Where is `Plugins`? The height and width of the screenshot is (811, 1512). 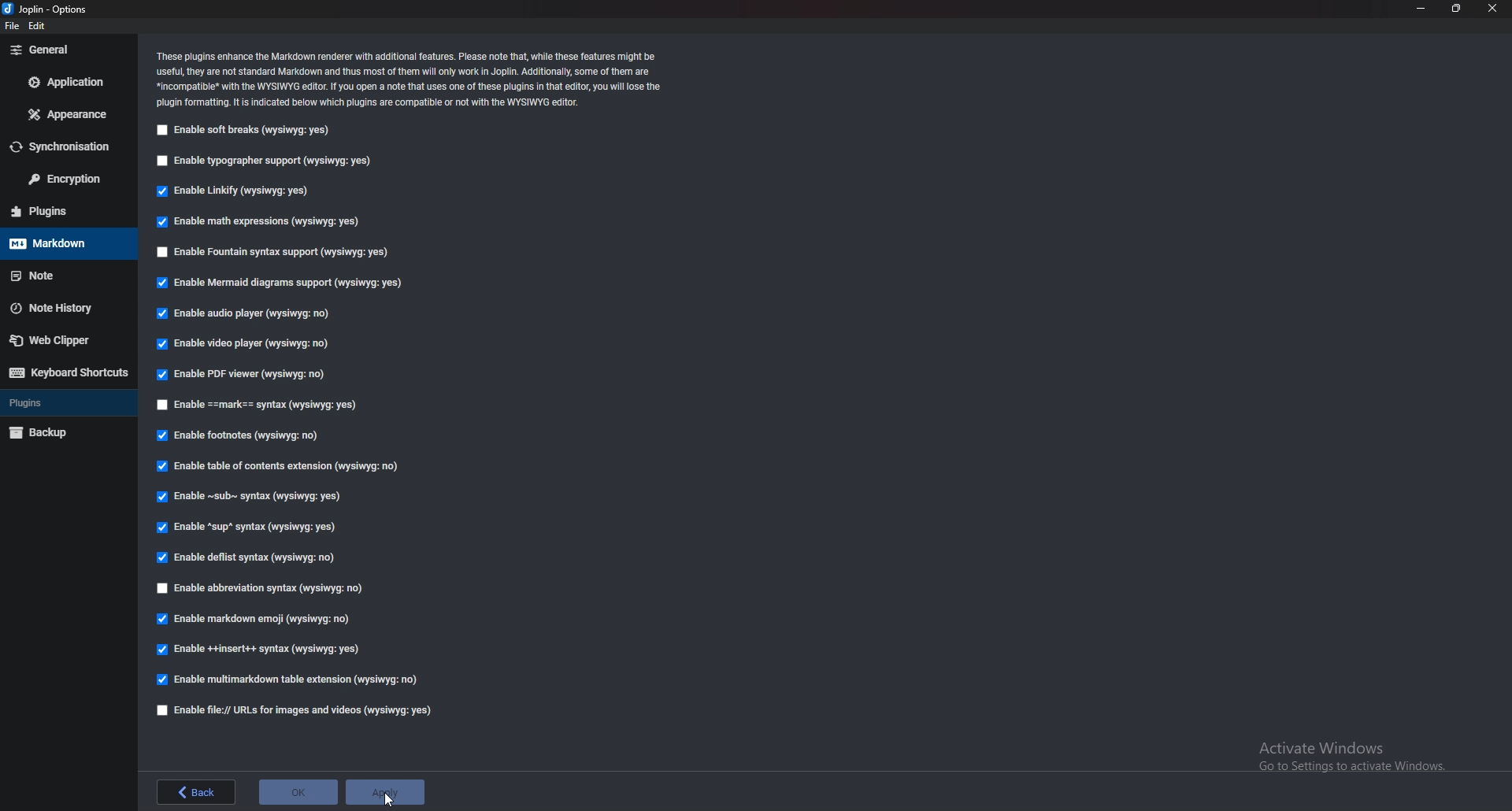 Plugins is located at coordinates (62, 402).